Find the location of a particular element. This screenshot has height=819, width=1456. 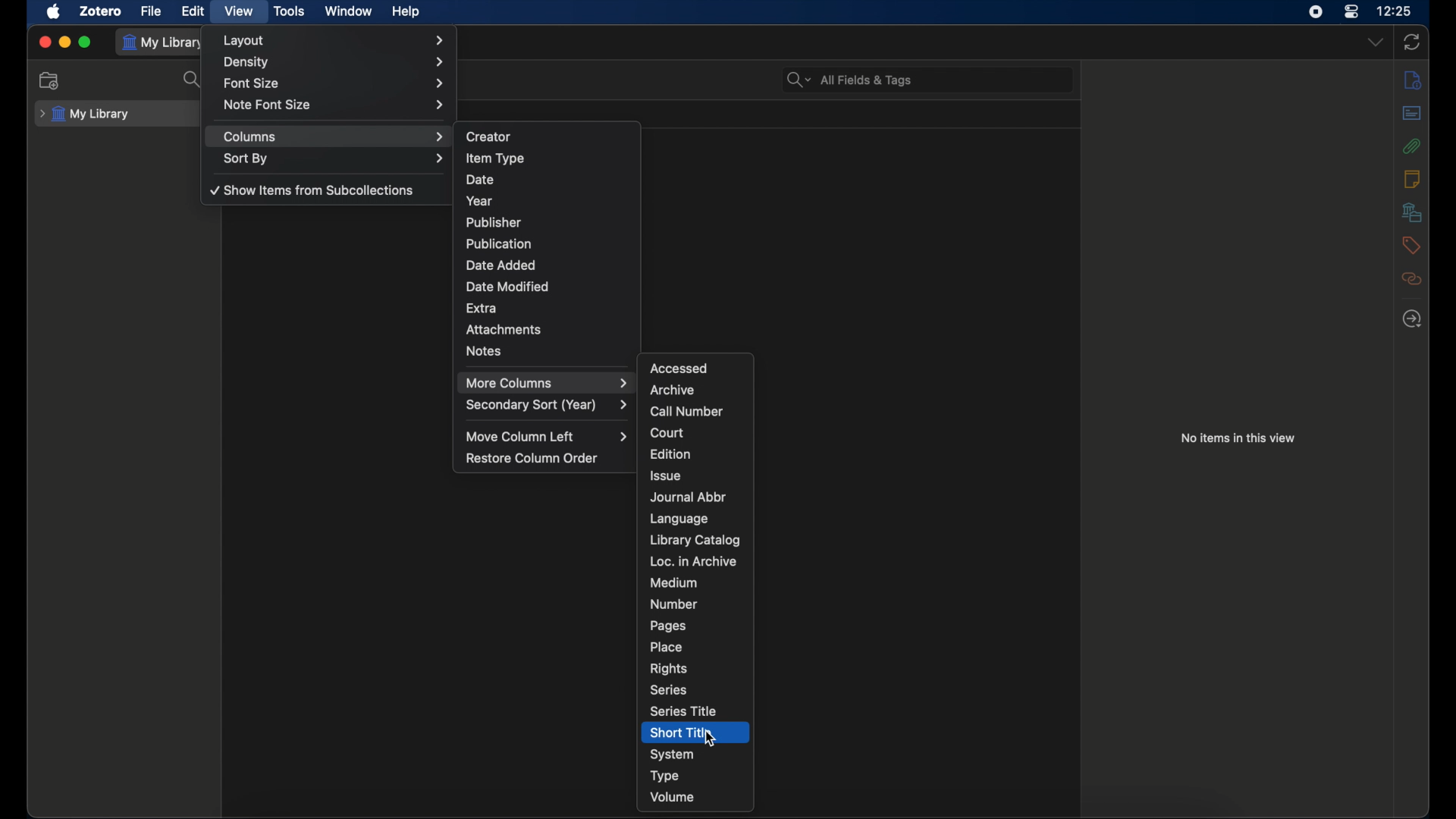

restore column order is located at coordinates (532, 457).